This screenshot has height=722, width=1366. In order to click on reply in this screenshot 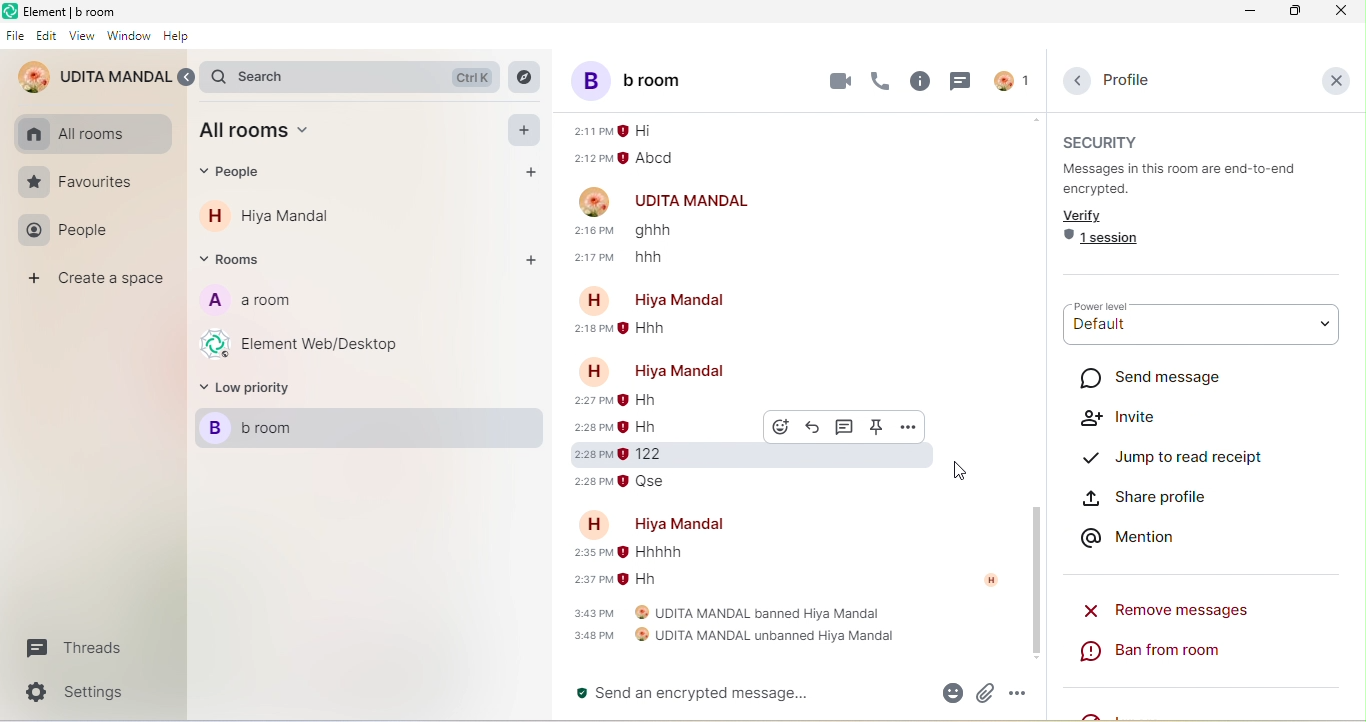, I will do `click(812, 426)`.